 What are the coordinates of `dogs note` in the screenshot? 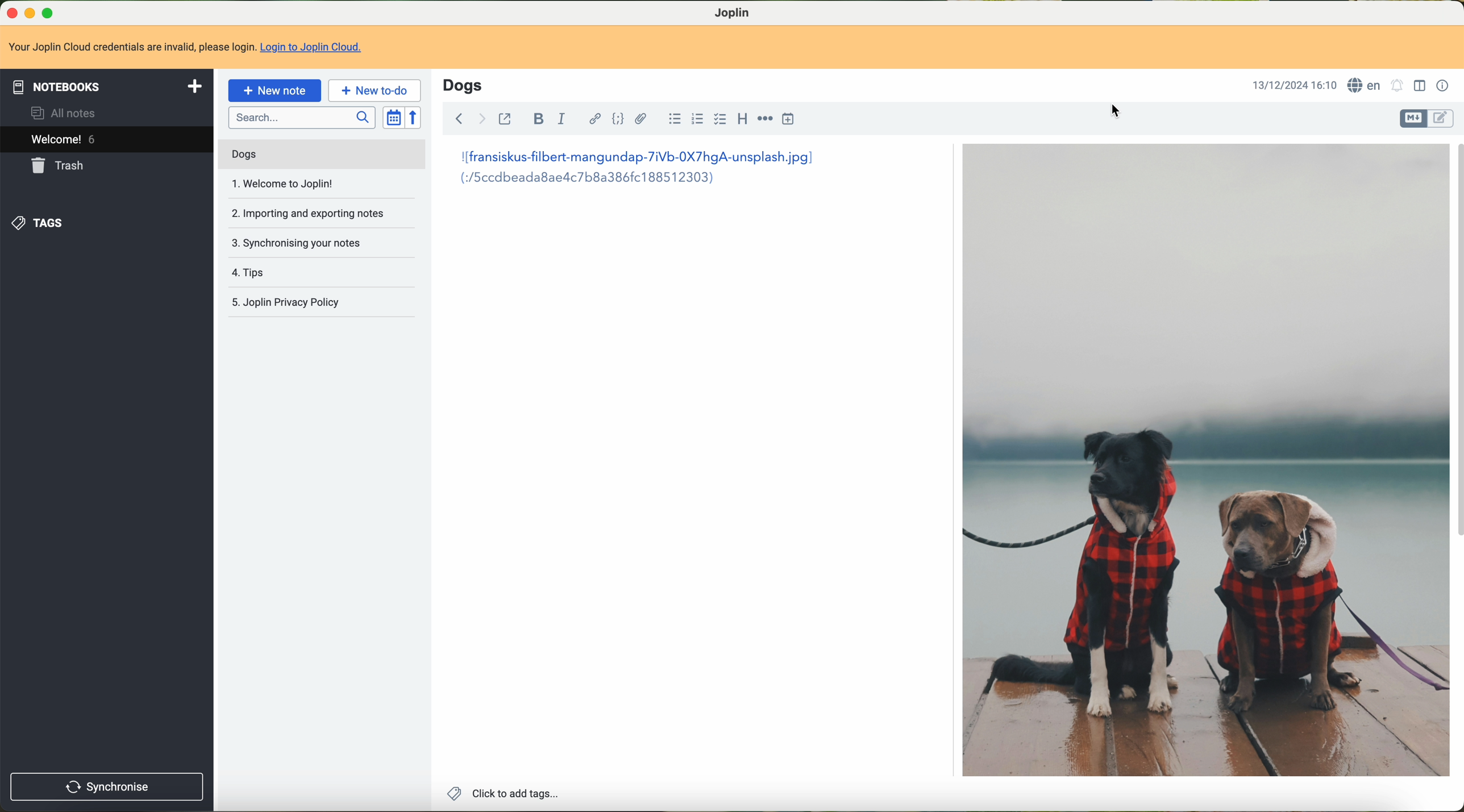 It's located at (243, 155).